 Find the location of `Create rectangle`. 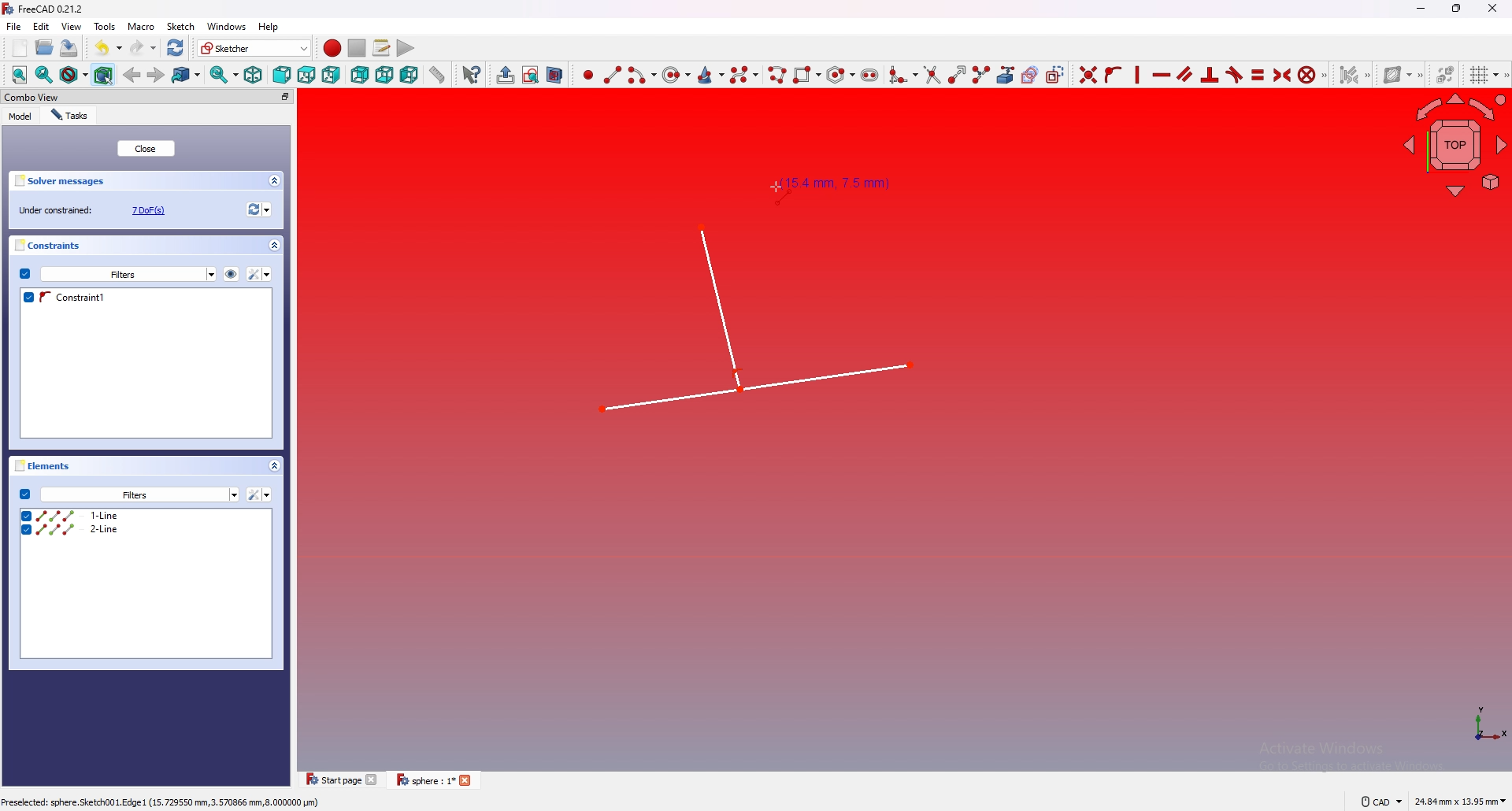

Create rectangle is located at coordinates (806, 73).